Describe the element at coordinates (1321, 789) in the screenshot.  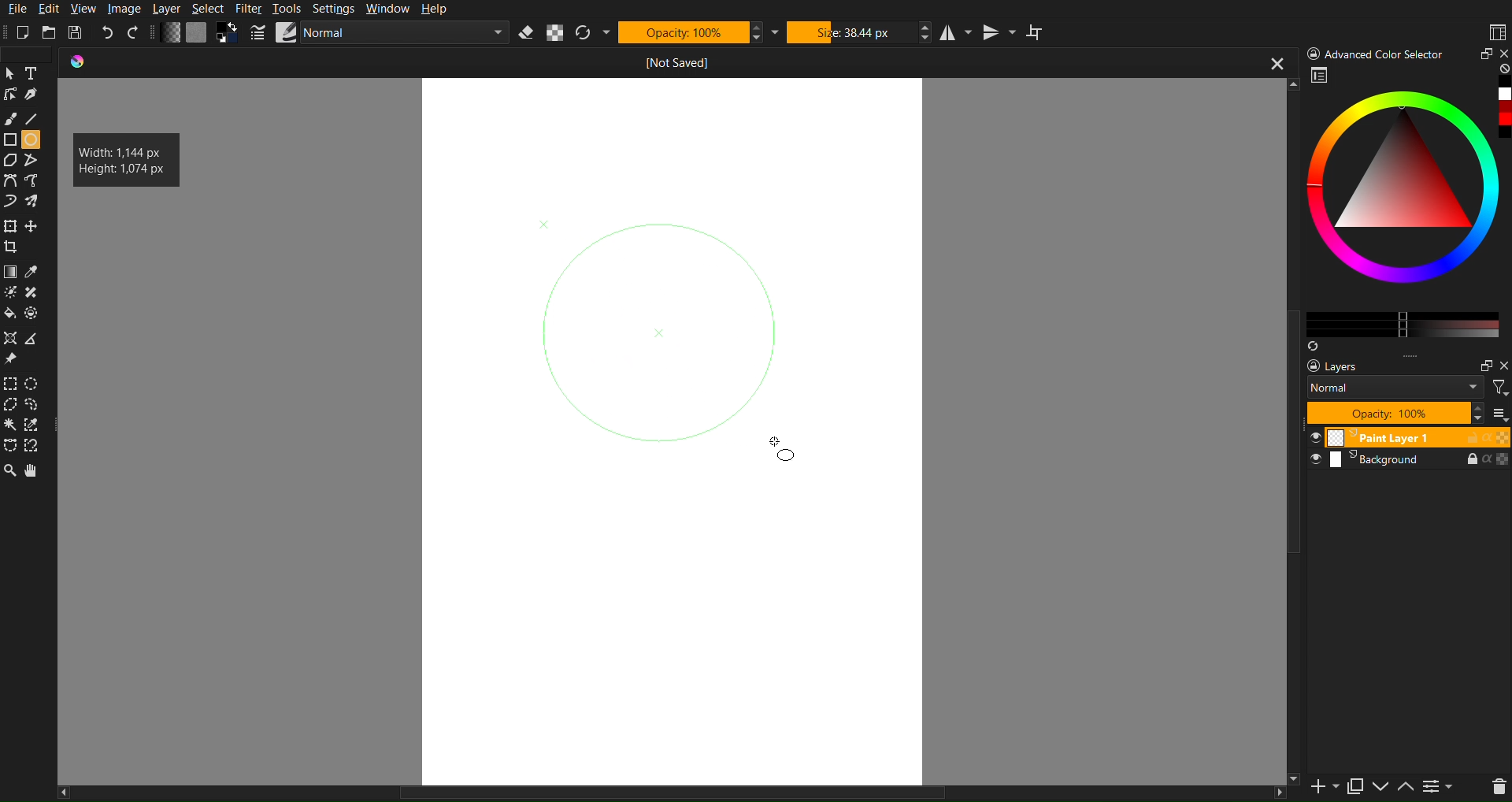
I see `new` at that location.